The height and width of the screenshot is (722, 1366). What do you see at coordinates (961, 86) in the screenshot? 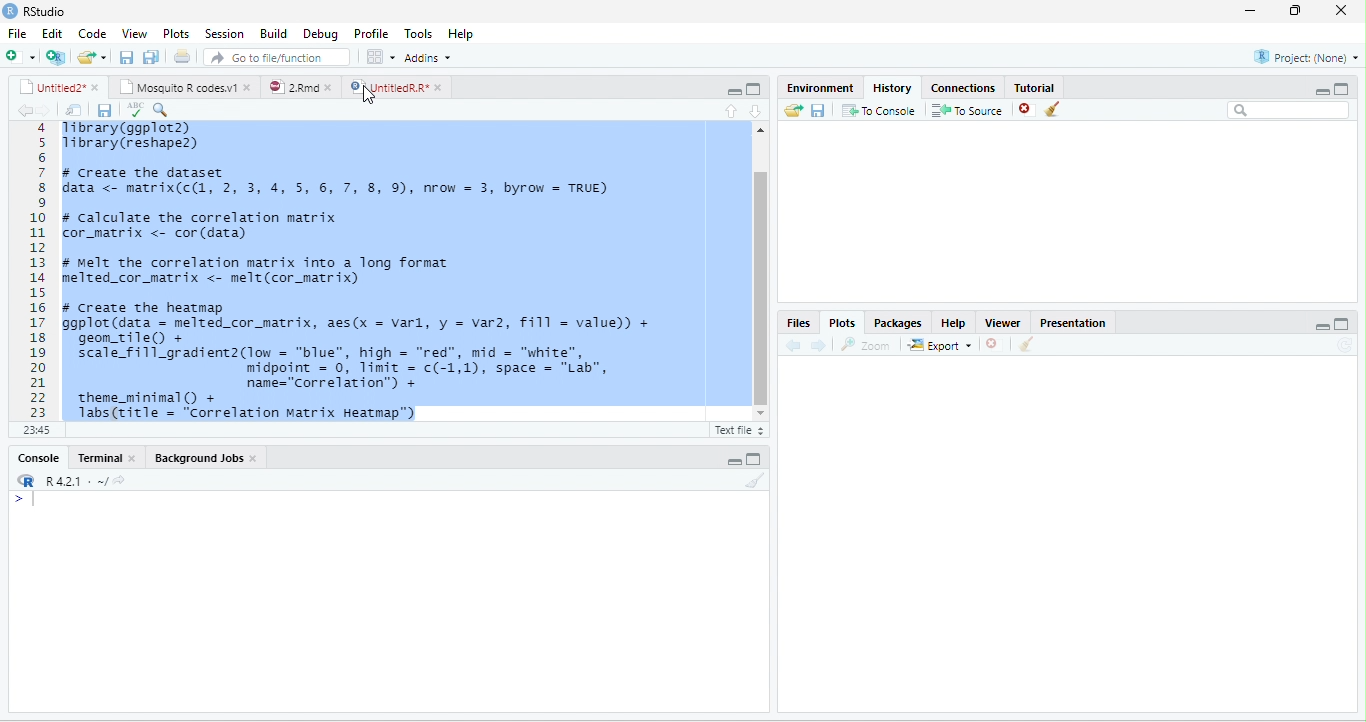
I see `connections` at bounding box center [961, 86].